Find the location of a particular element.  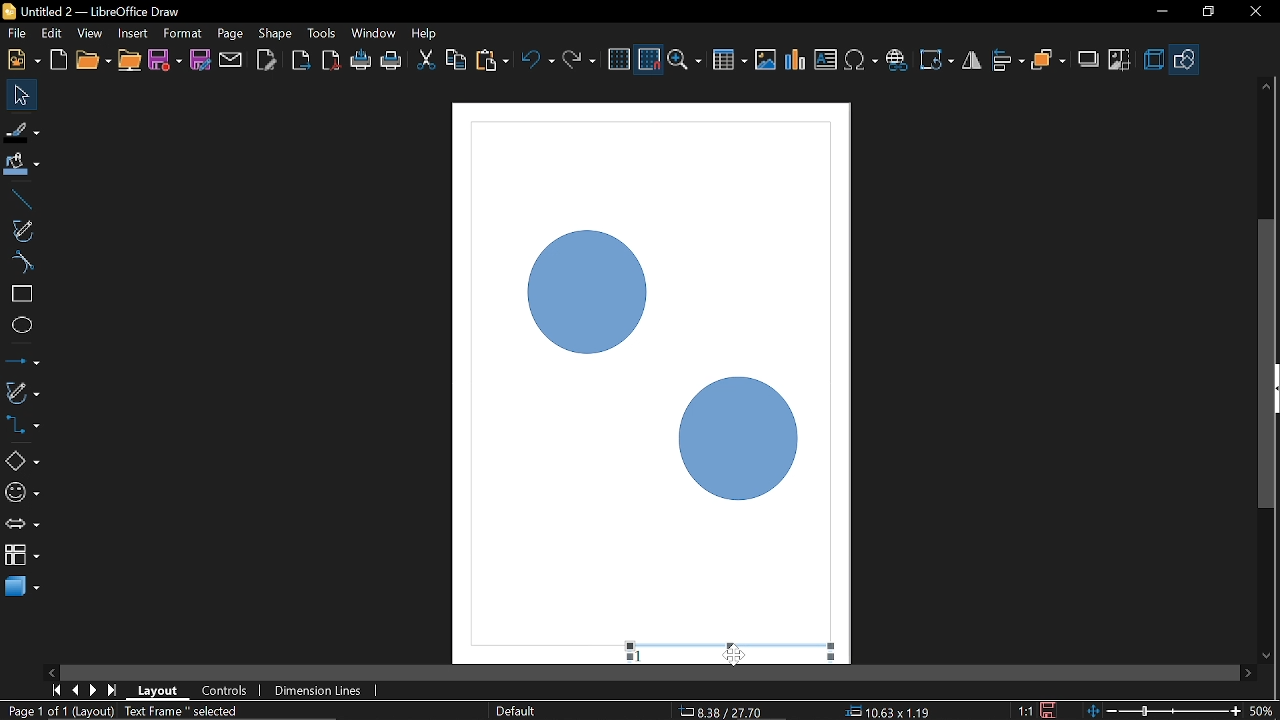

Page is located at coordinates (228, 32).